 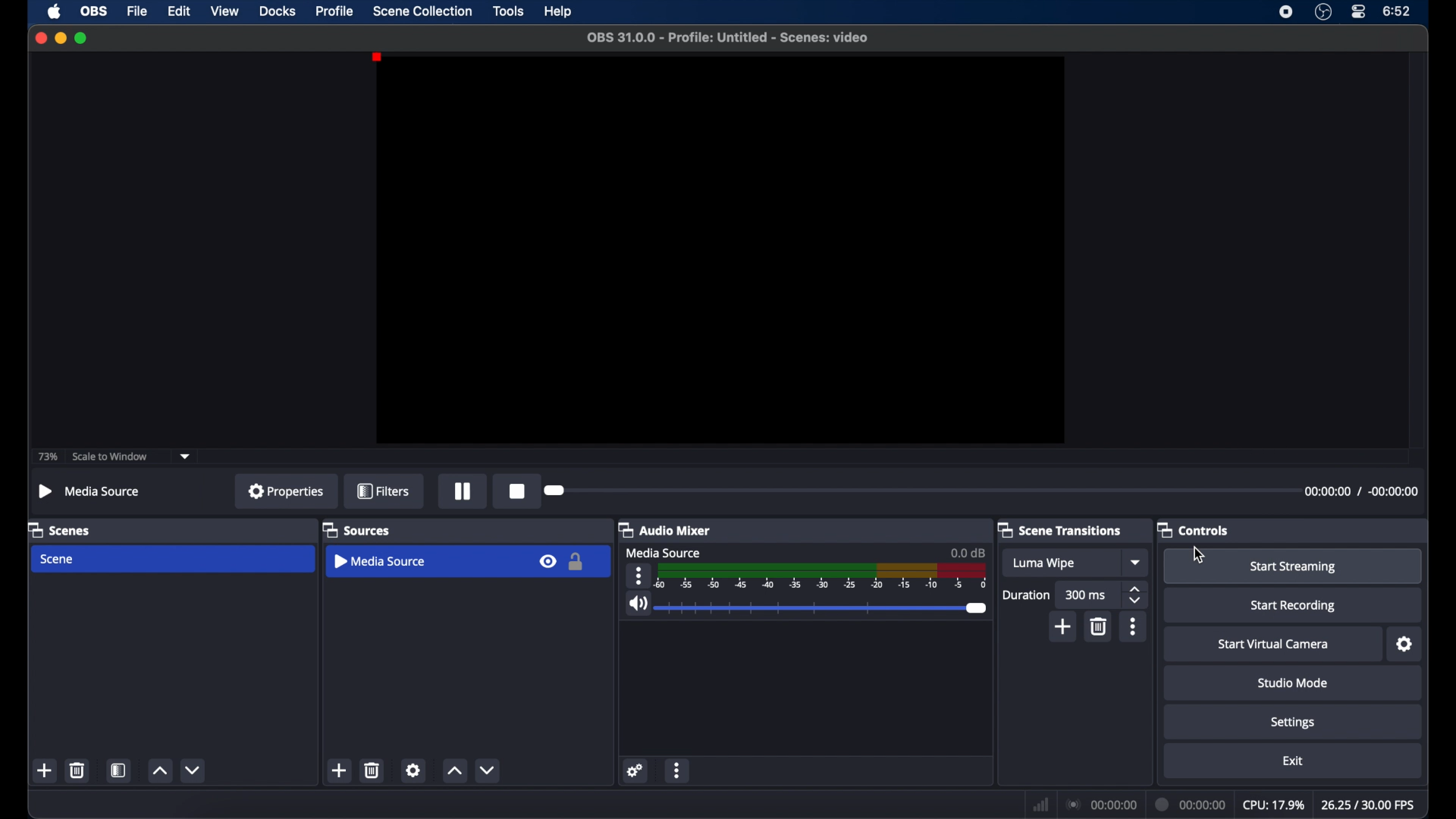 What do you see at coordinates (638, 772) in the screenshot?
I see `settings` at bounding box center [638, 772].